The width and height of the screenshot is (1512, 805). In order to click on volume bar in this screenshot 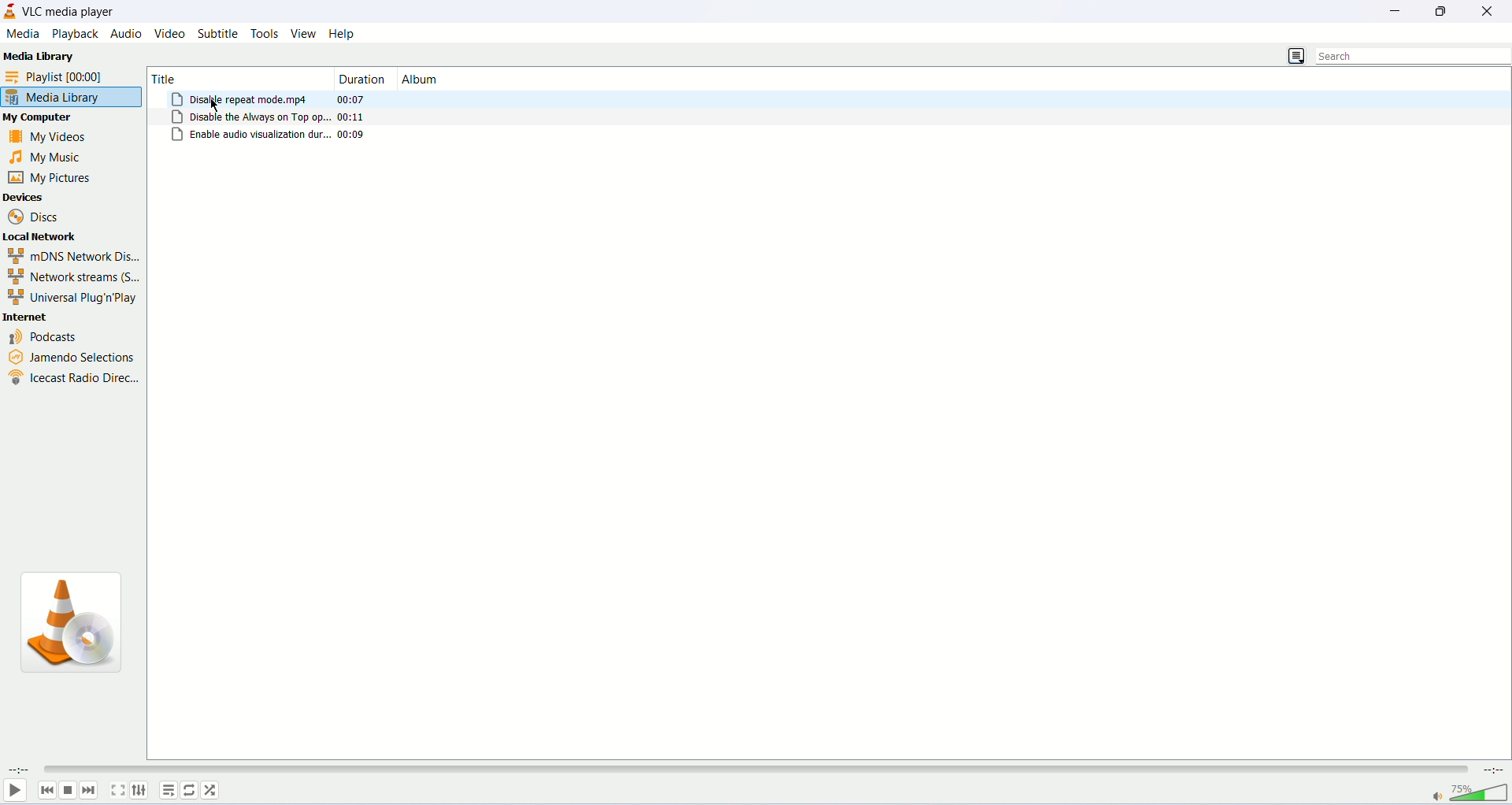, I will do `click(1480, 792)`.